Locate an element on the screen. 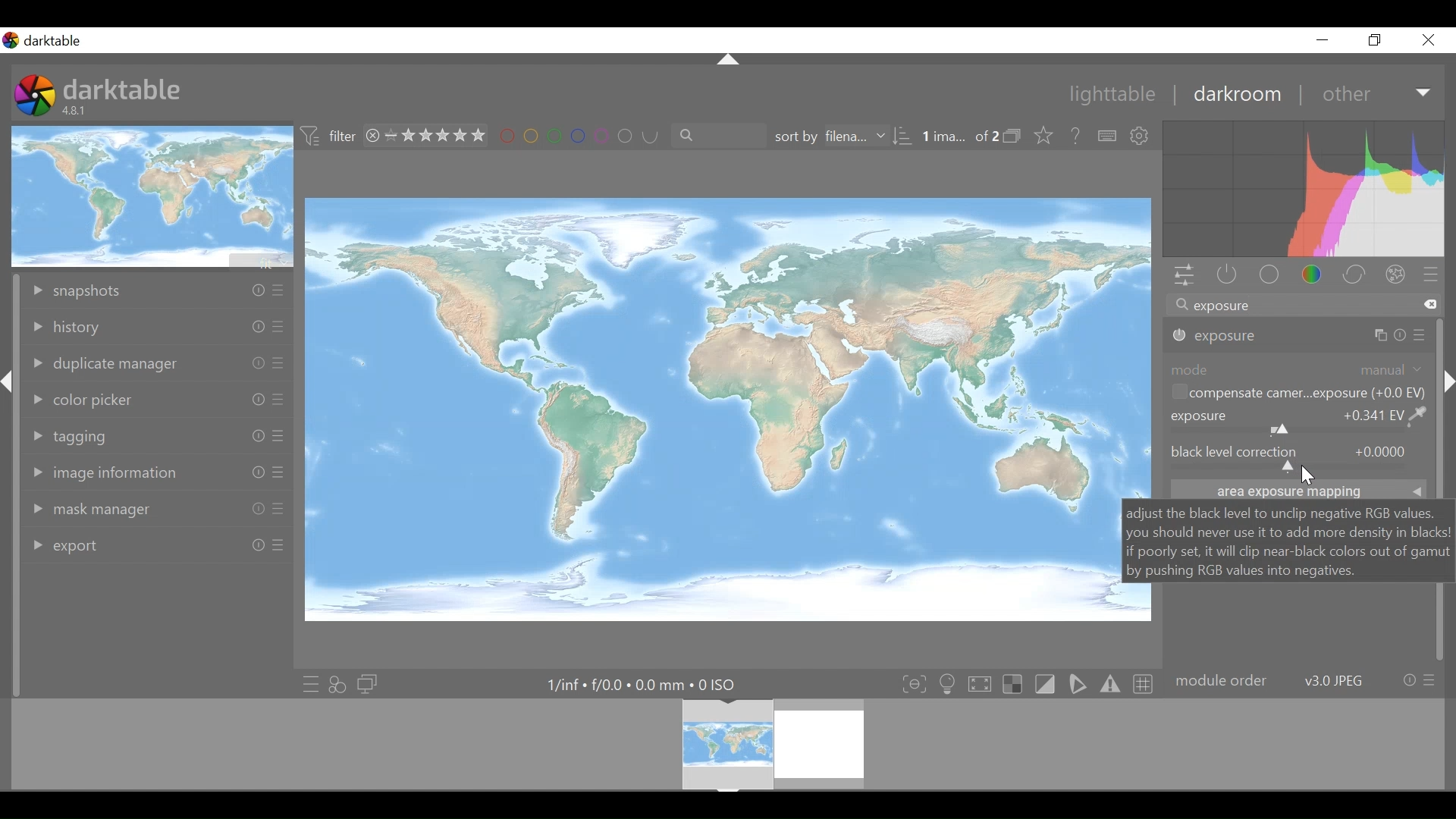 The height and width of the screenshot is (819, 1456). vertical scroll bar is located at coordinates (1437, 454).